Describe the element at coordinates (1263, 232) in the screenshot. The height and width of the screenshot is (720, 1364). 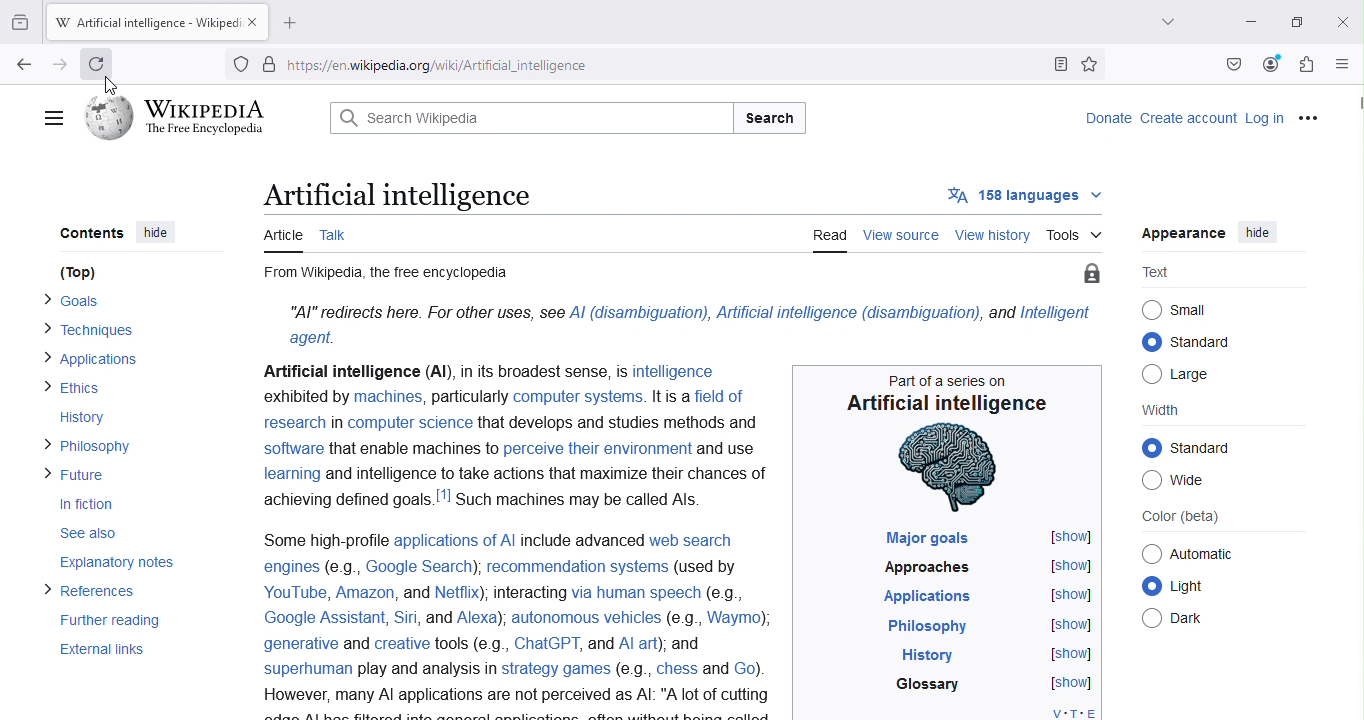
I see `hide` at that location.